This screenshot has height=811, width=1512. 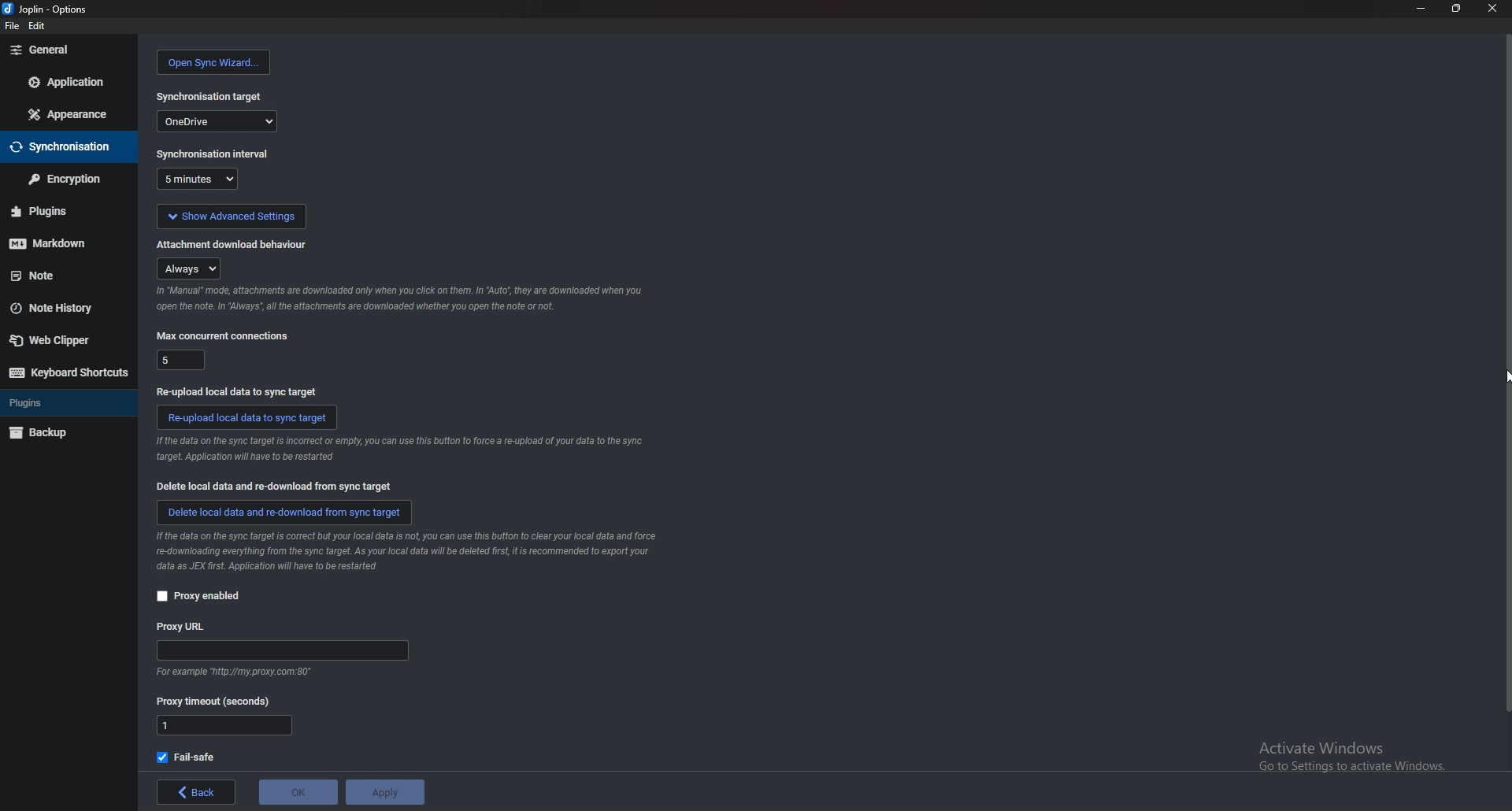 I want to click on sync, so click(x=64, y=148).